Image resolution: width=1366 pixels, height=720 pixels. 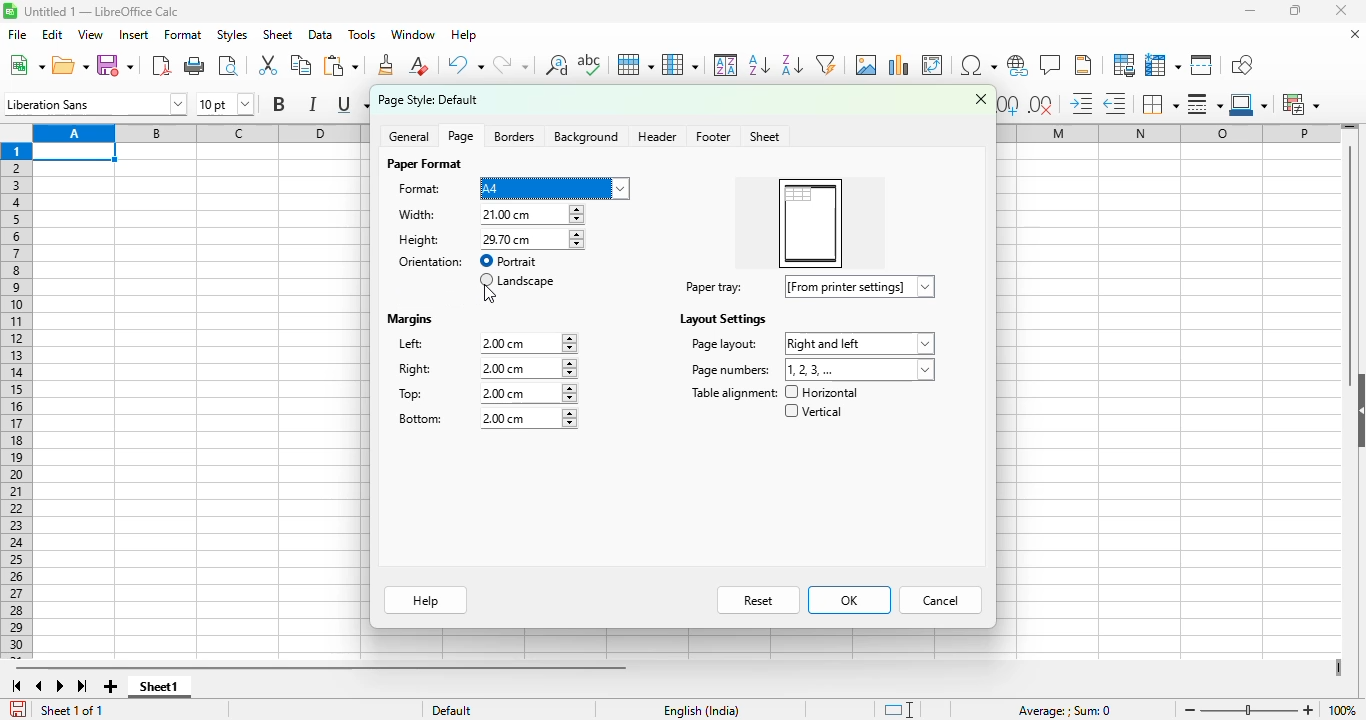 I want to click on zoom factor, so click(x=1344, y=709).